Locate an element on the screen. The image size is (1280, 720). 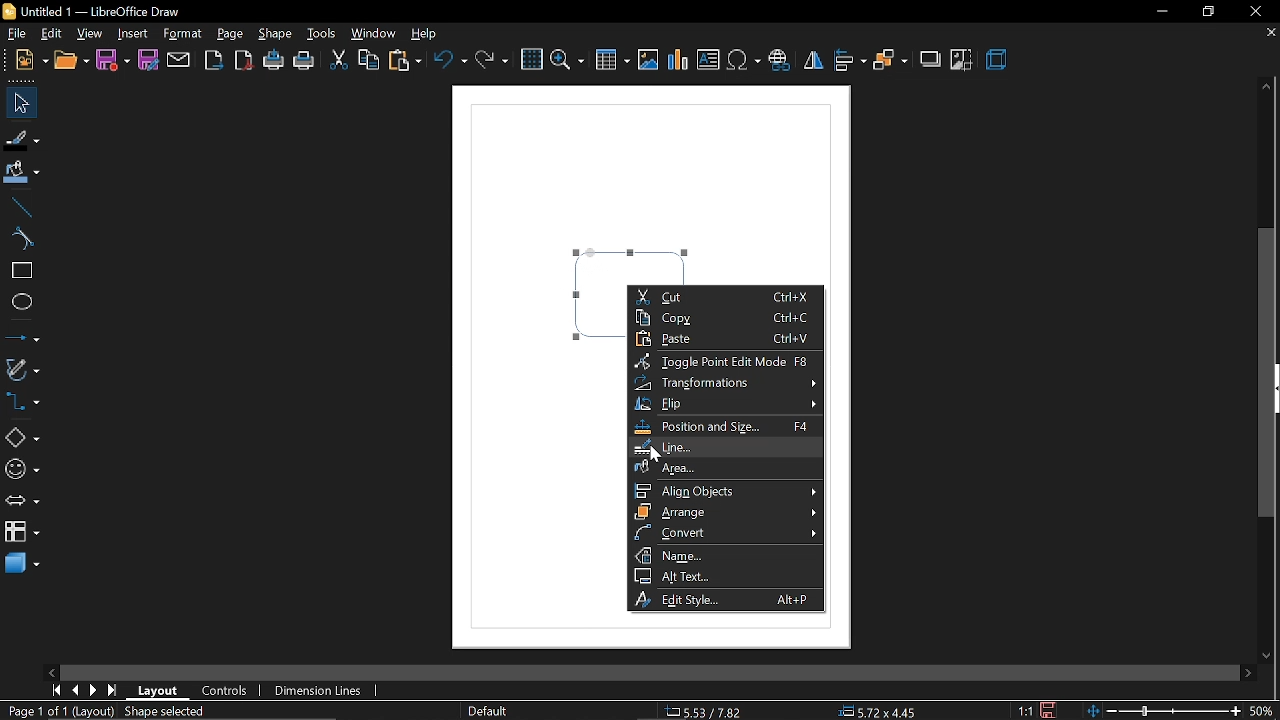
curve is located at coordinates (23, 238).